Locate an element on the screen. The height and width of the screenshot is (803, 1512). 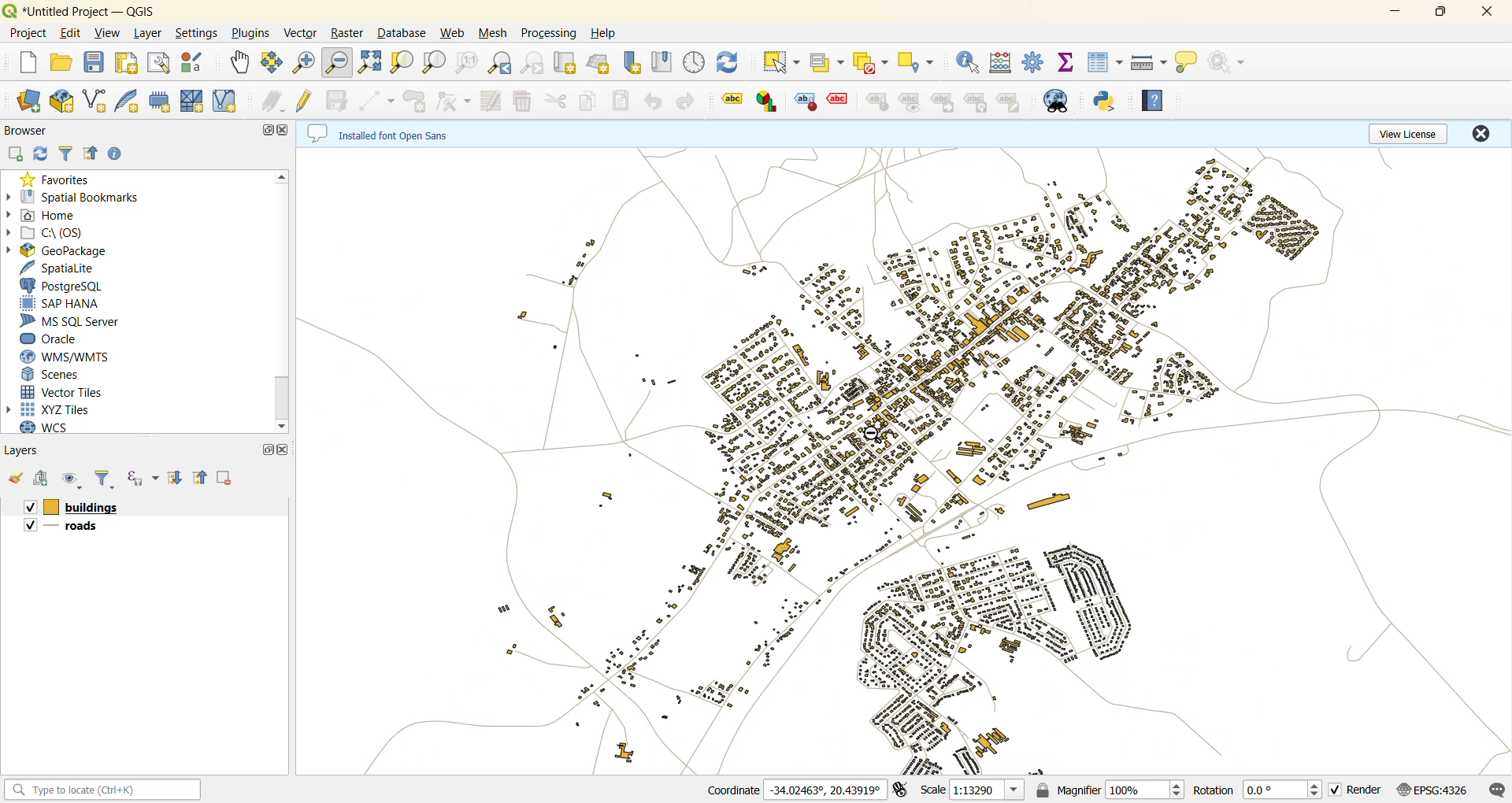
new geopackage layer is located at coordinates (65, 102).